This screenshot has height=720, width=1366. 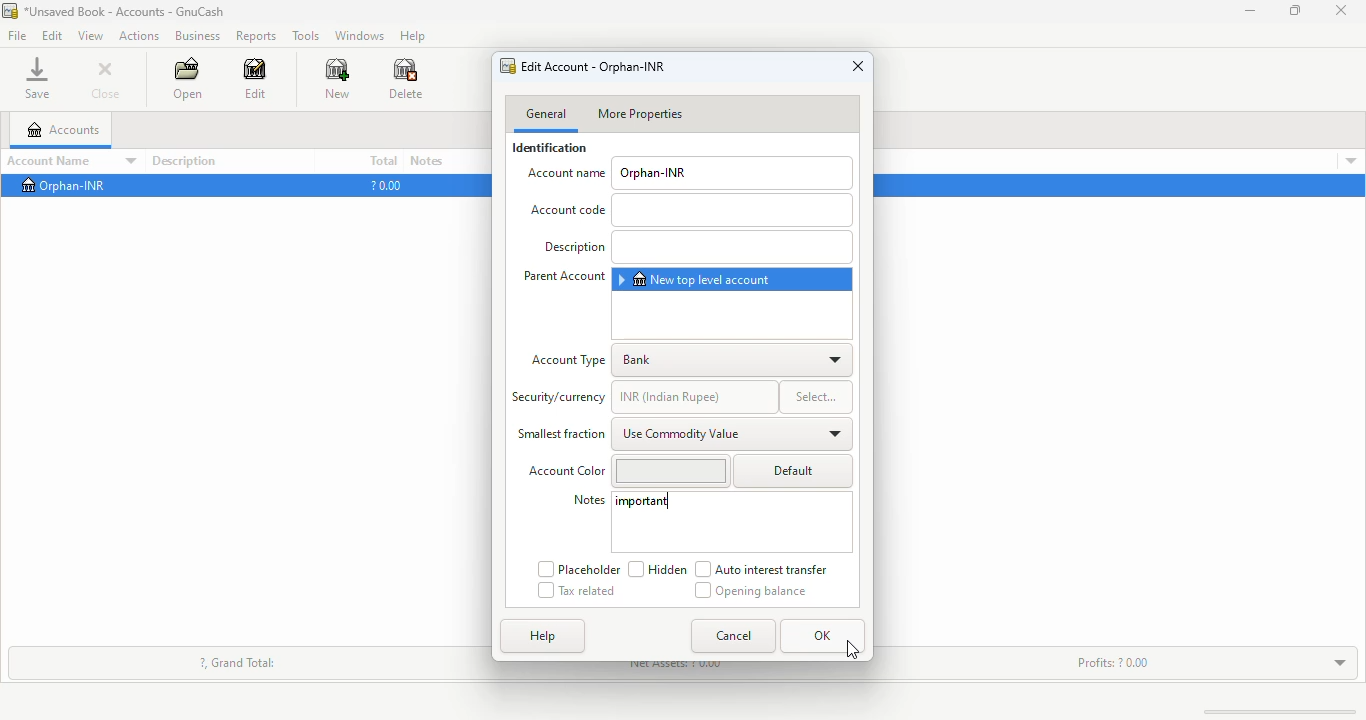 I want to click on change account color, so click(x=668, y=471).